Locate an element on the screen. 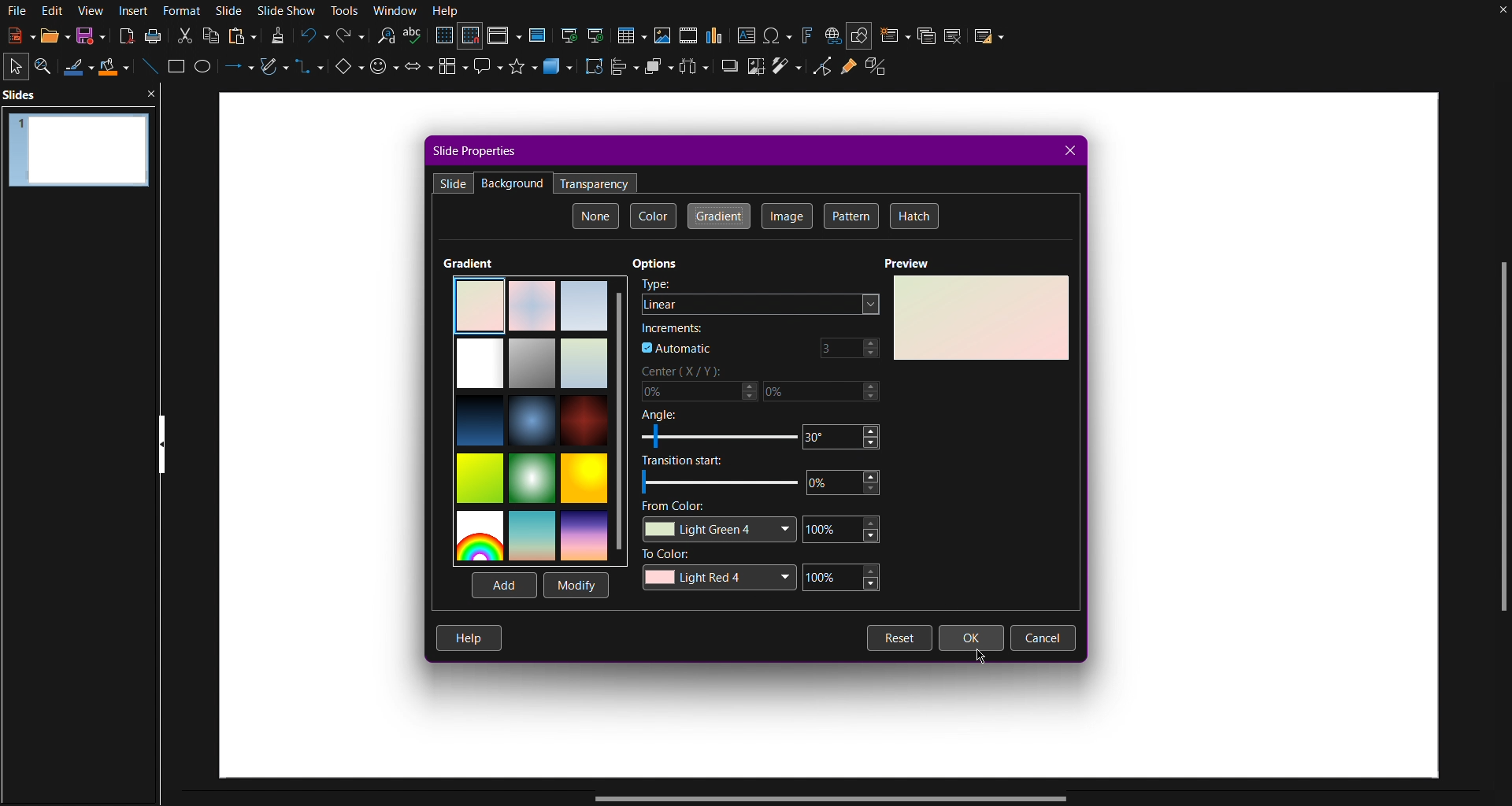 The image size is (1512, 806). Insert hyperlink is located at coordinates (832, 35).